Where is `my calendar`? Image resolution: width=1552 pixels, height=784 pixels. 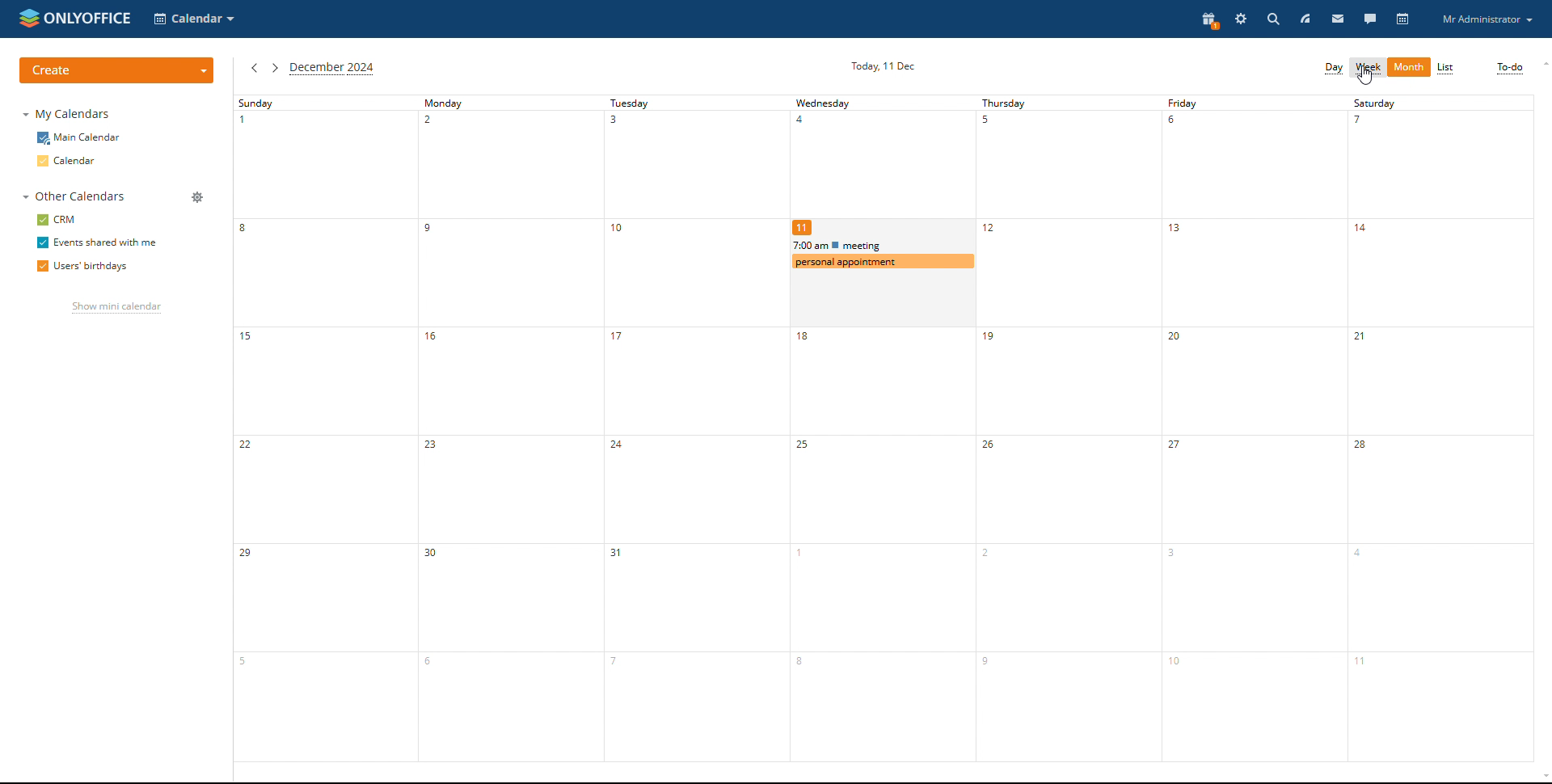
my calendar is located at coordinates (69, 113).